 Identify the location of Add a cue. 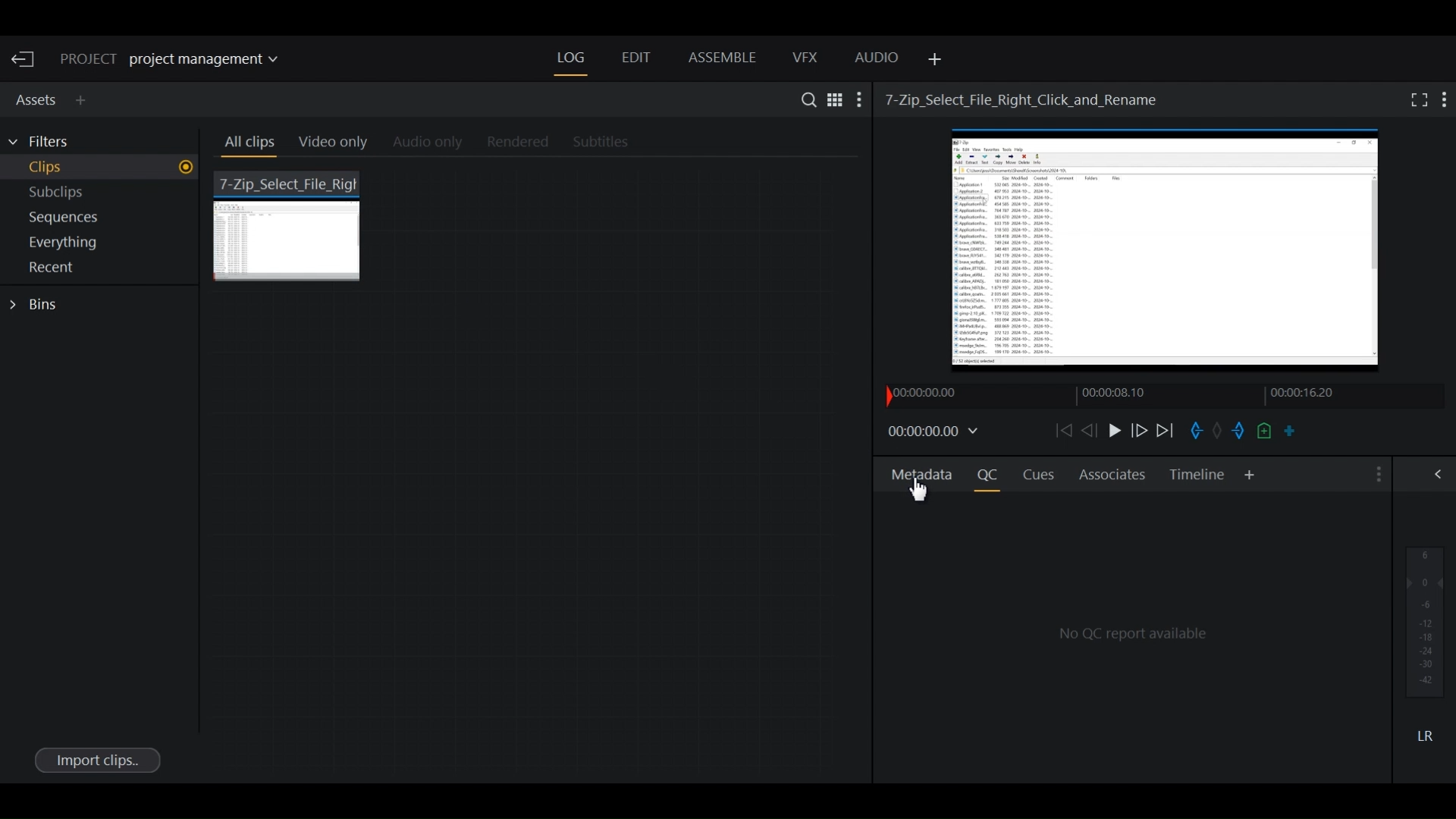
(1264, 431).